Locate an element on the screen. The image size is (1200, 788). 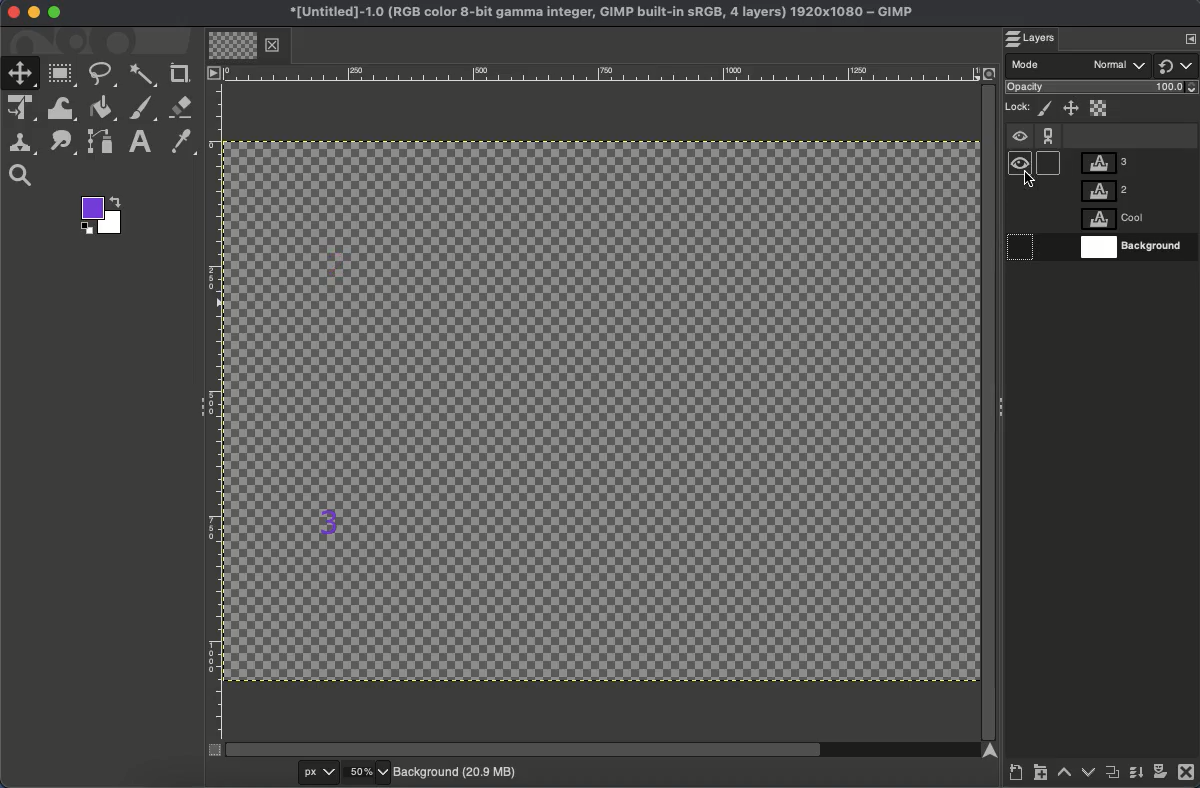
2 is located at coordinates (338, 259).